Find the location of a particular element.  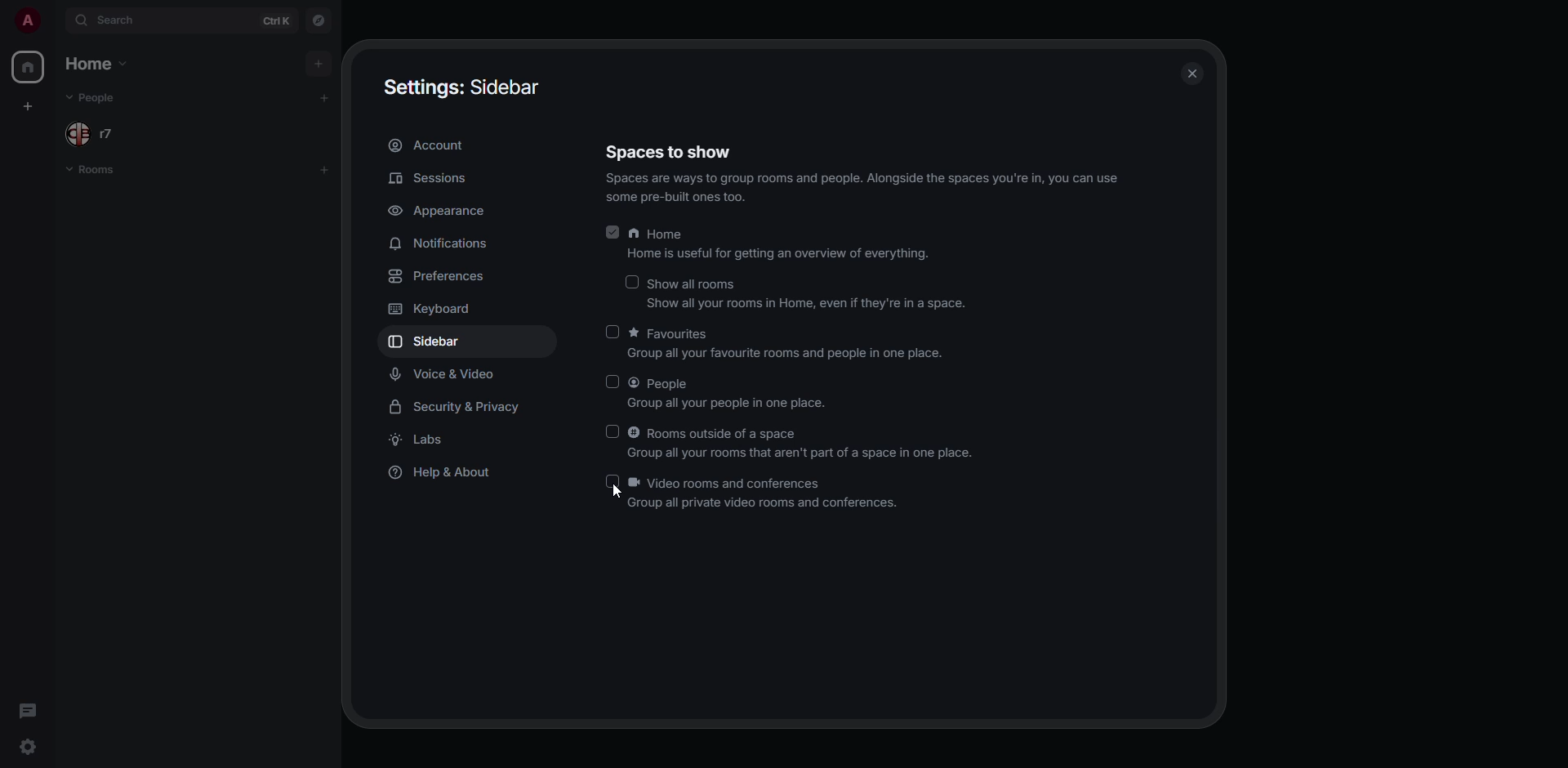

close is located at coordinates (1193, 72).